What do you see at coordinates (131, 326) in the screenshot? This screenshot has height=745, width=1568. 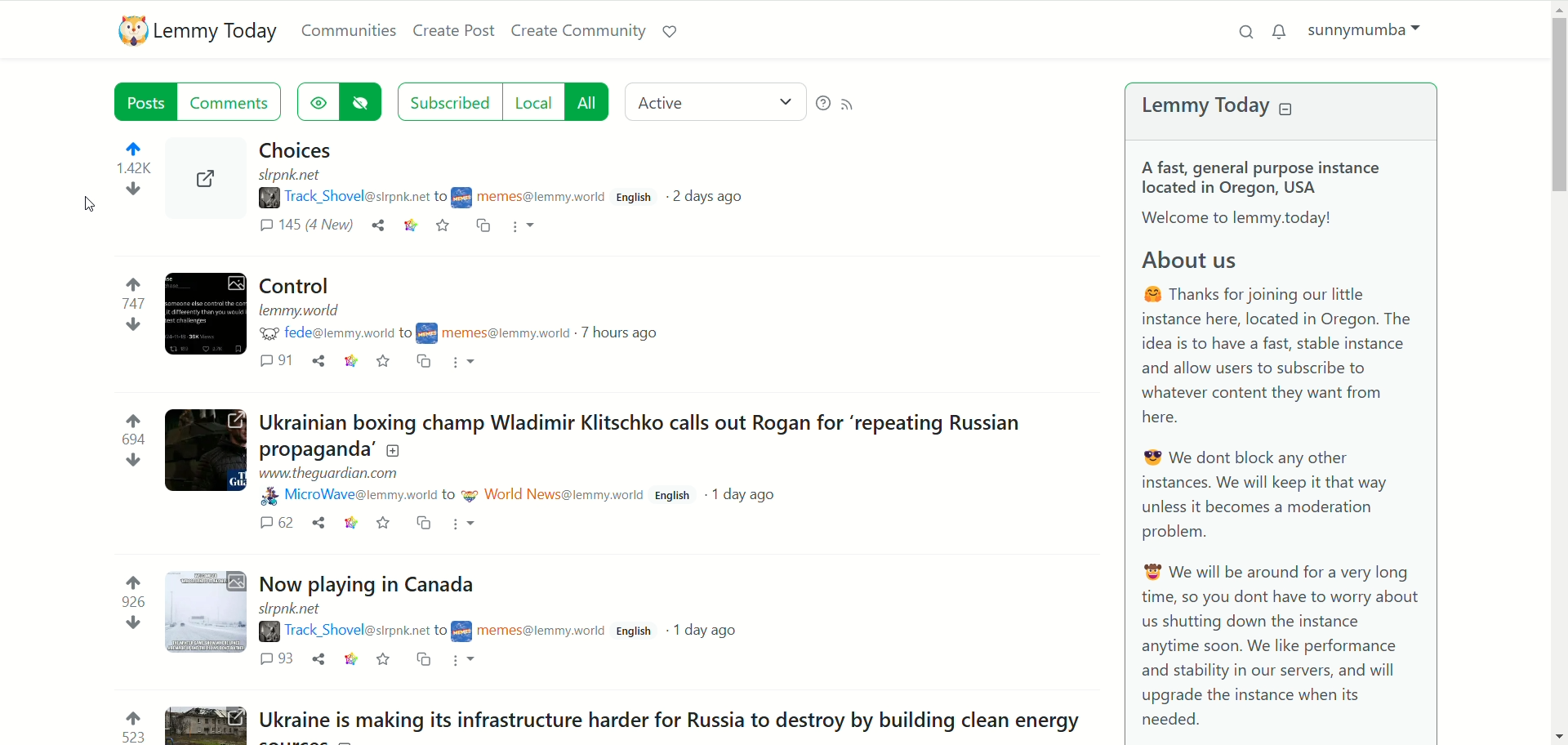 I see `down vote` at bounding box center [131, 326].